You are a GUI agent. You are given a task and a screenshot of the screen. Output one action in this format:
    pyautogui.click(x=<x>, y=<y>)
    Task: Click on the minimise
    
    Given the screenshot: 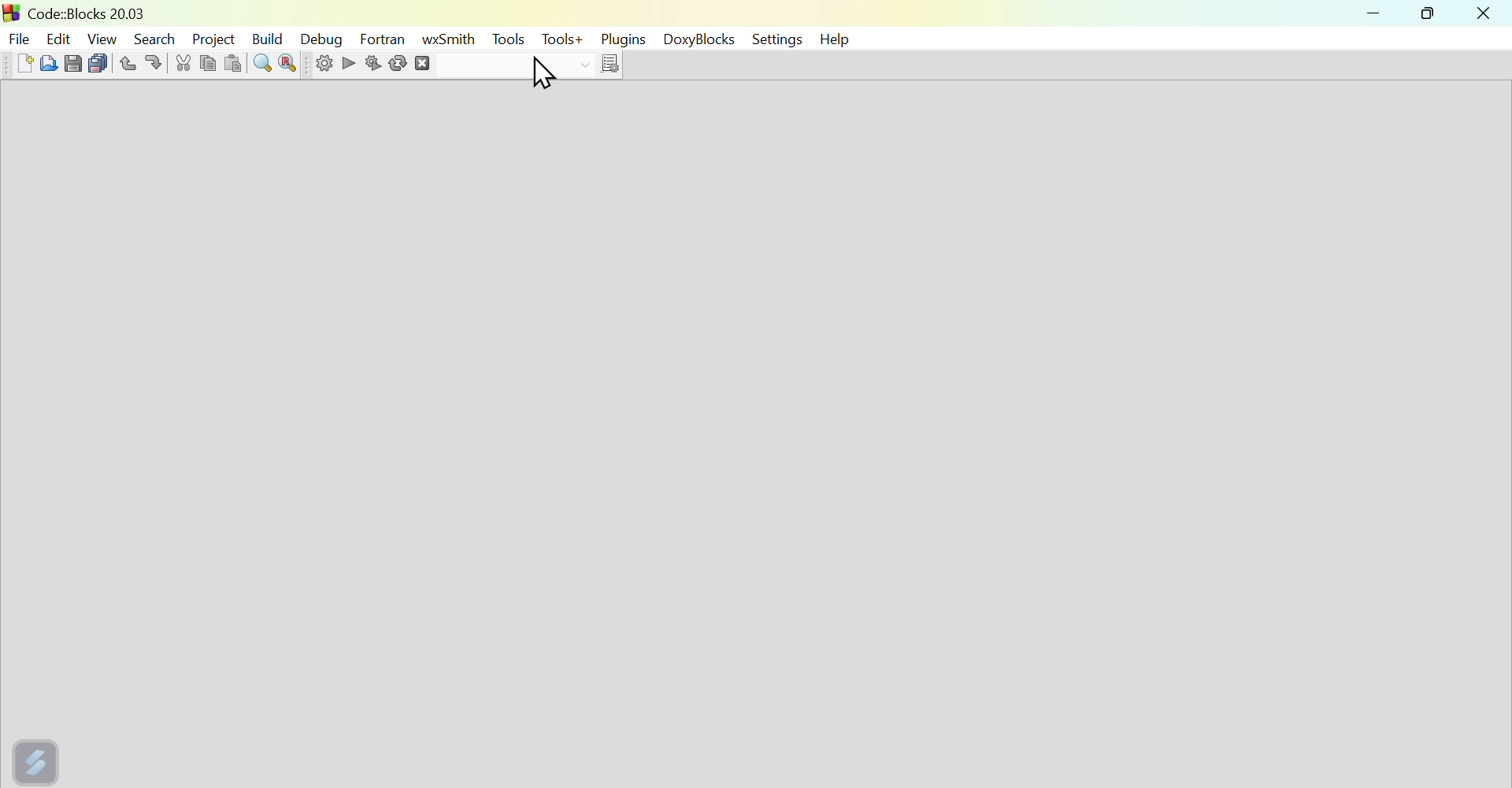 What is the action you would take?
    pyautogui.click(x=1376, y=16)
    